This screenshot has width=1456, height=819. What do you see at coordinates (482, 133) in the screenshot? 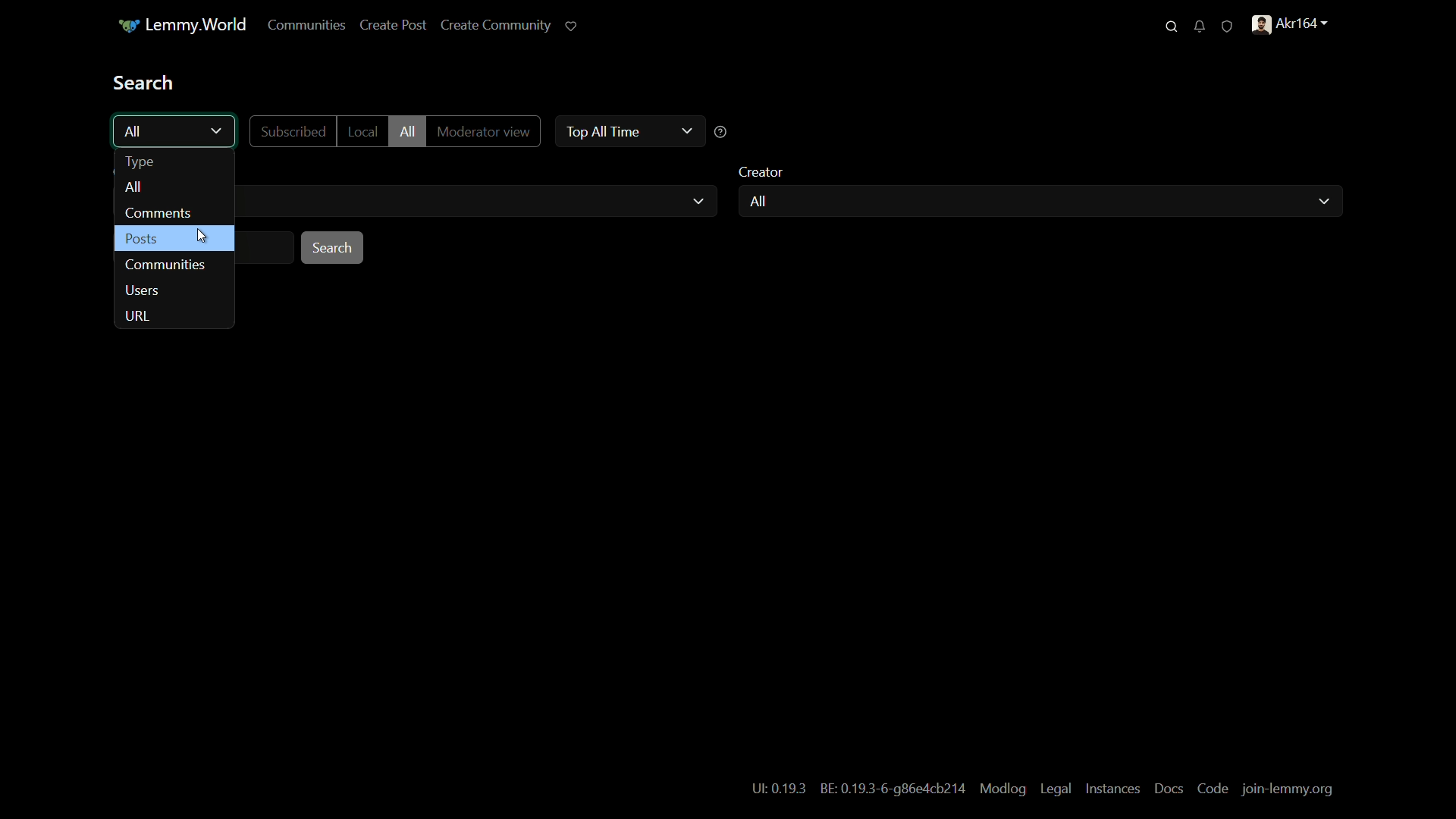
I see `moderator view` at bounding box center [482, 133].